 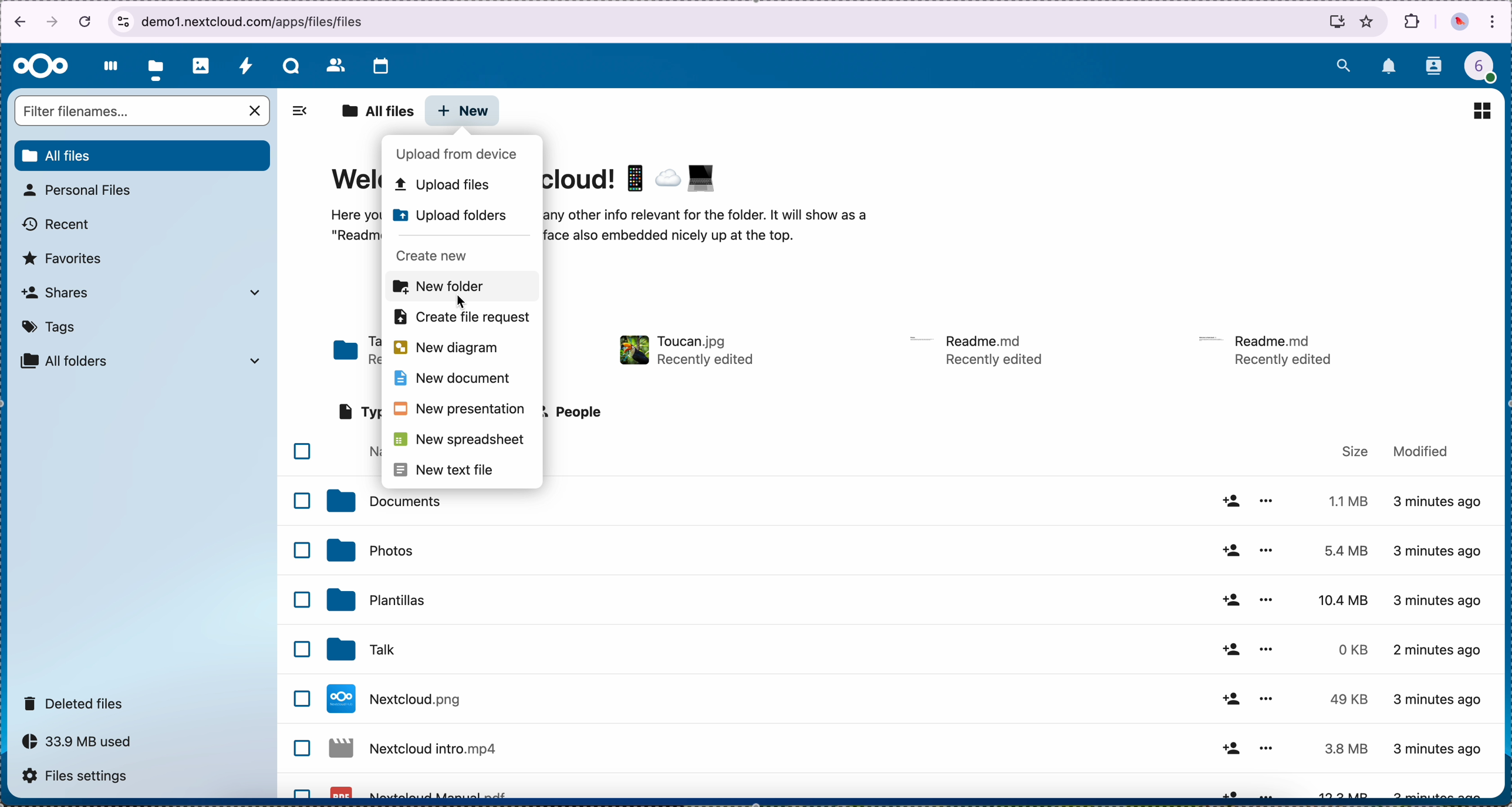 I want to click on customize and control Google Chrome, so click(x=1493, y=23).